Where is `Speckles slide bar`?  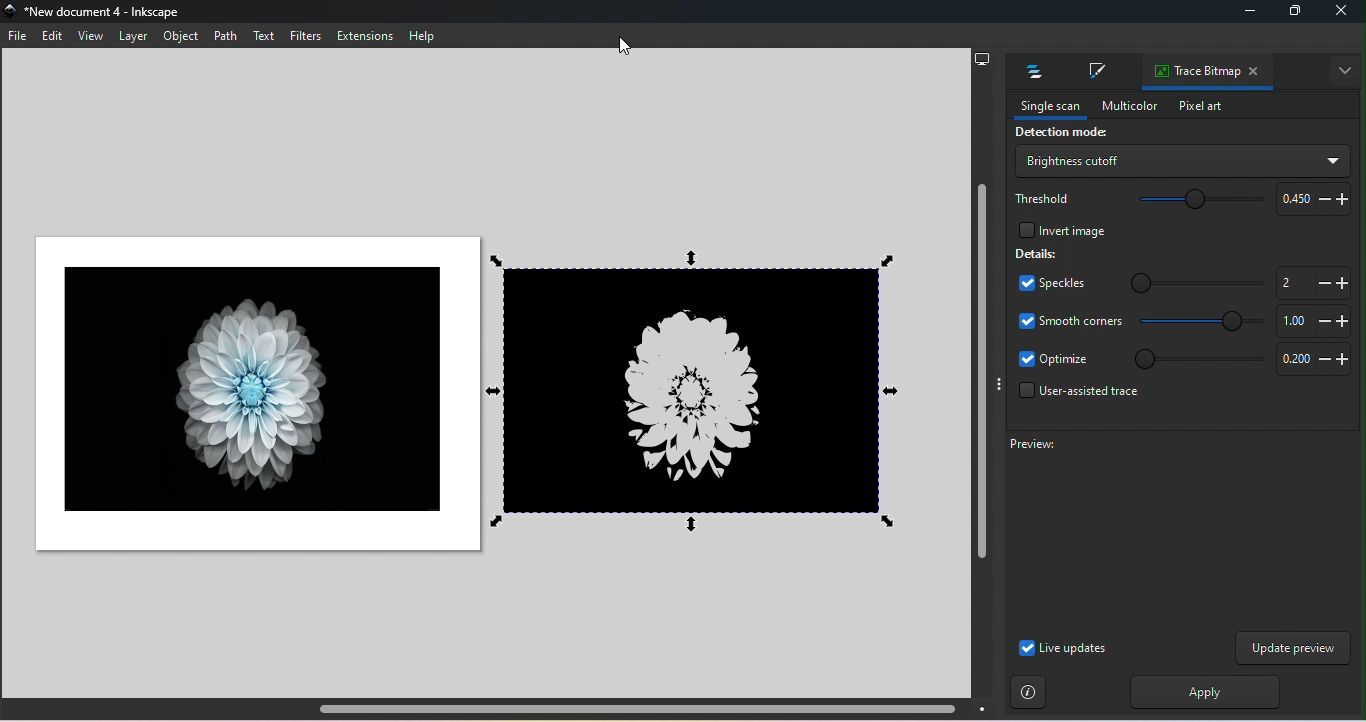
Speckles slide bar is located at coordinates (1184, 279).